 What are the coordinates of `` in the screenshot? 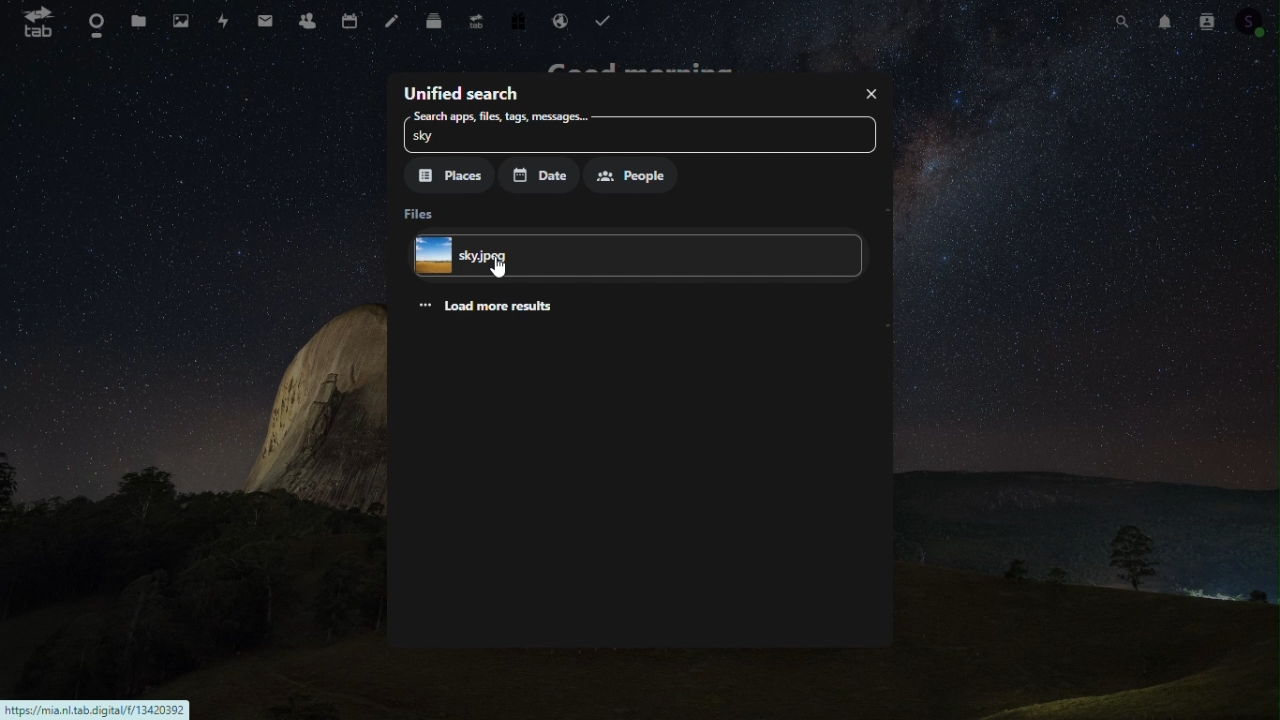 It's located at (501, 267).